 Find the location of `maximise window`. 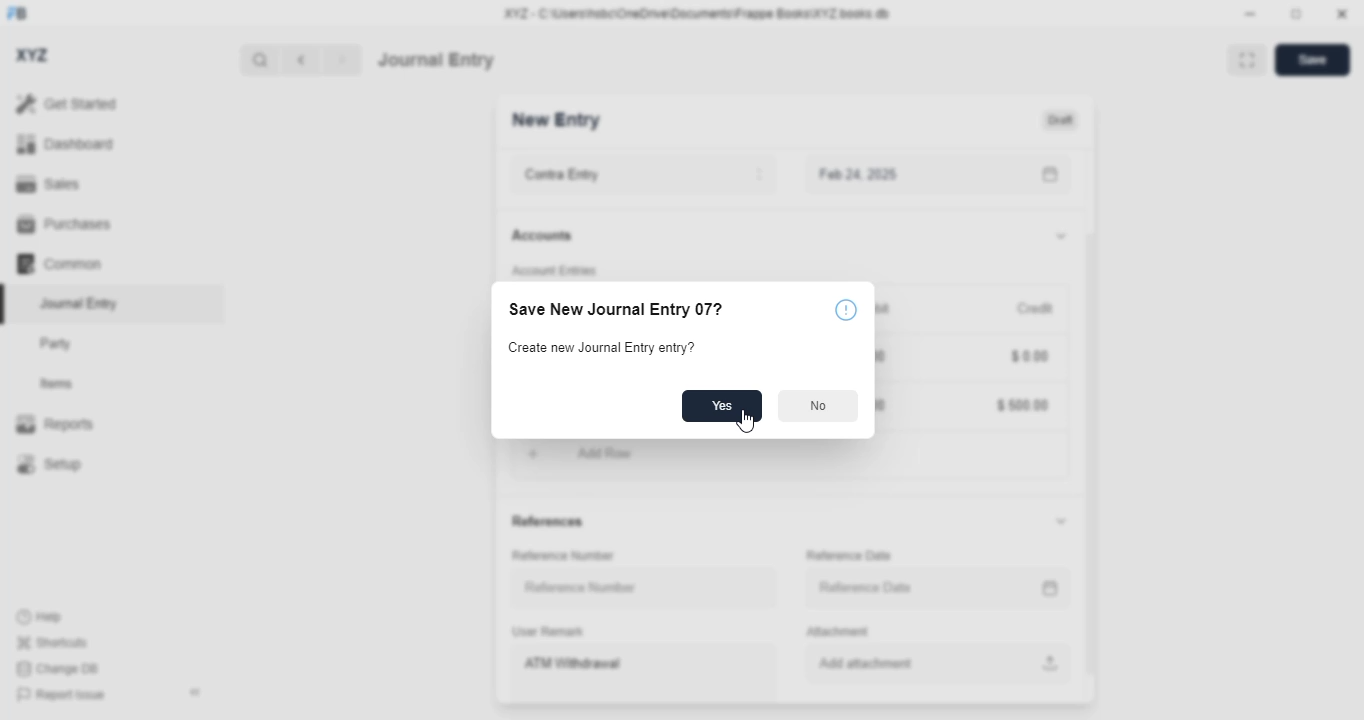

maximise window is located at coordinates (1247, 60).